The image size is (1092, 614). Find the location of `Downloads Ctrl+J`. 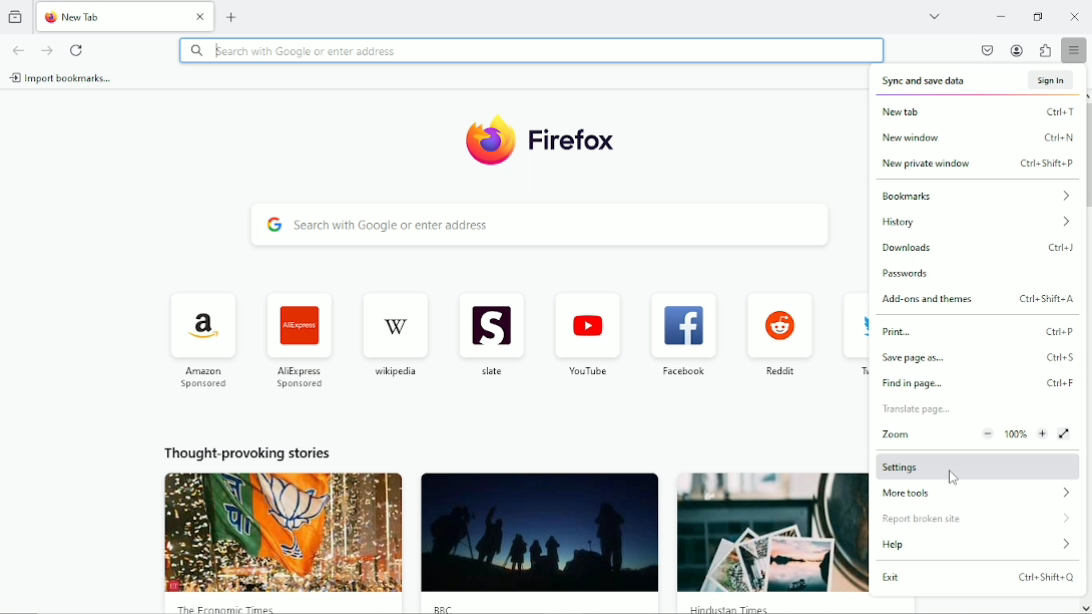

Downloads Ctrl+J is located at coordinates (978, 248).